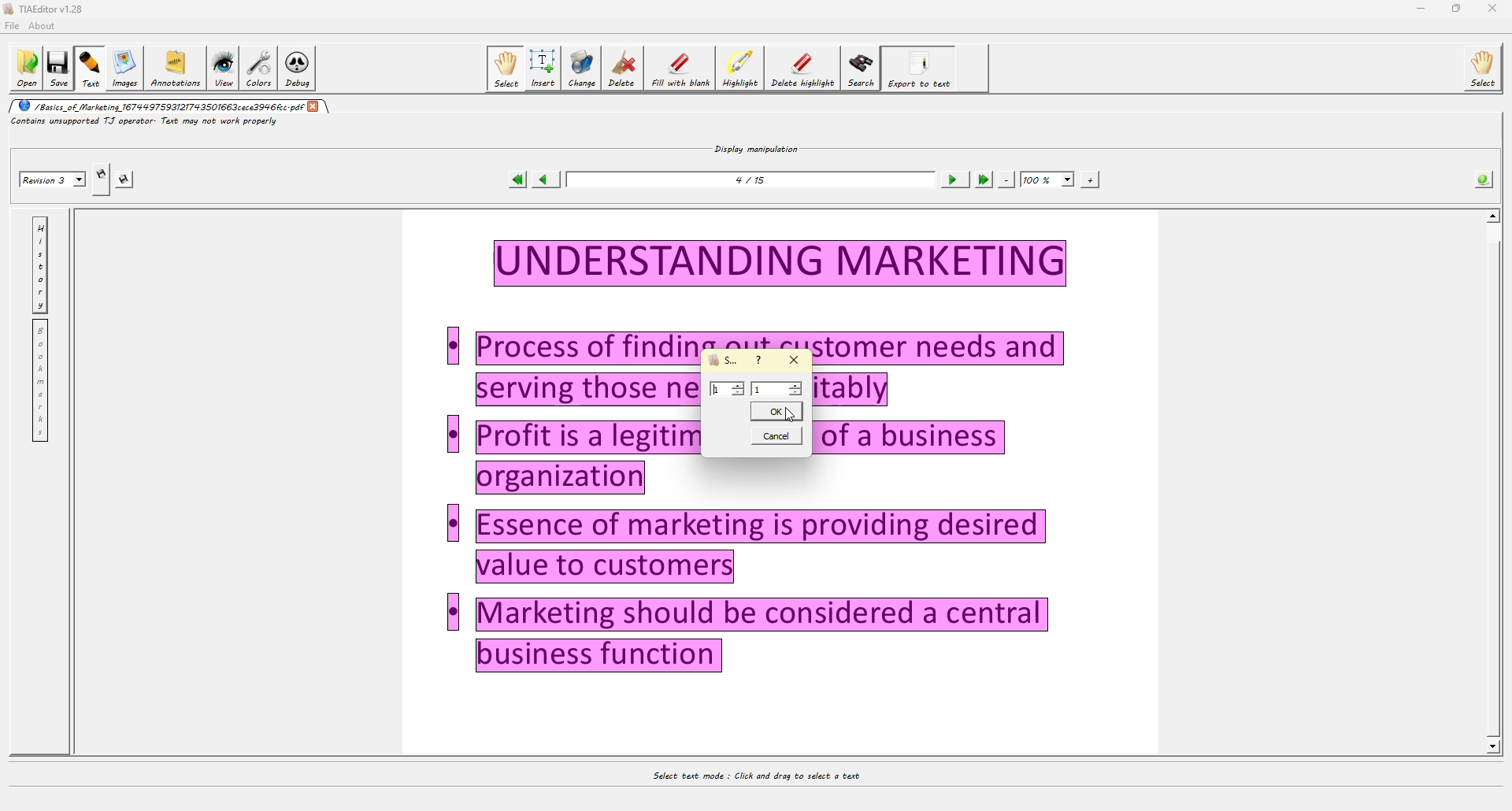  What do you see at coordinates (543, 66) in the screenshot?
I see `isert` at bounding box center [543, 66].